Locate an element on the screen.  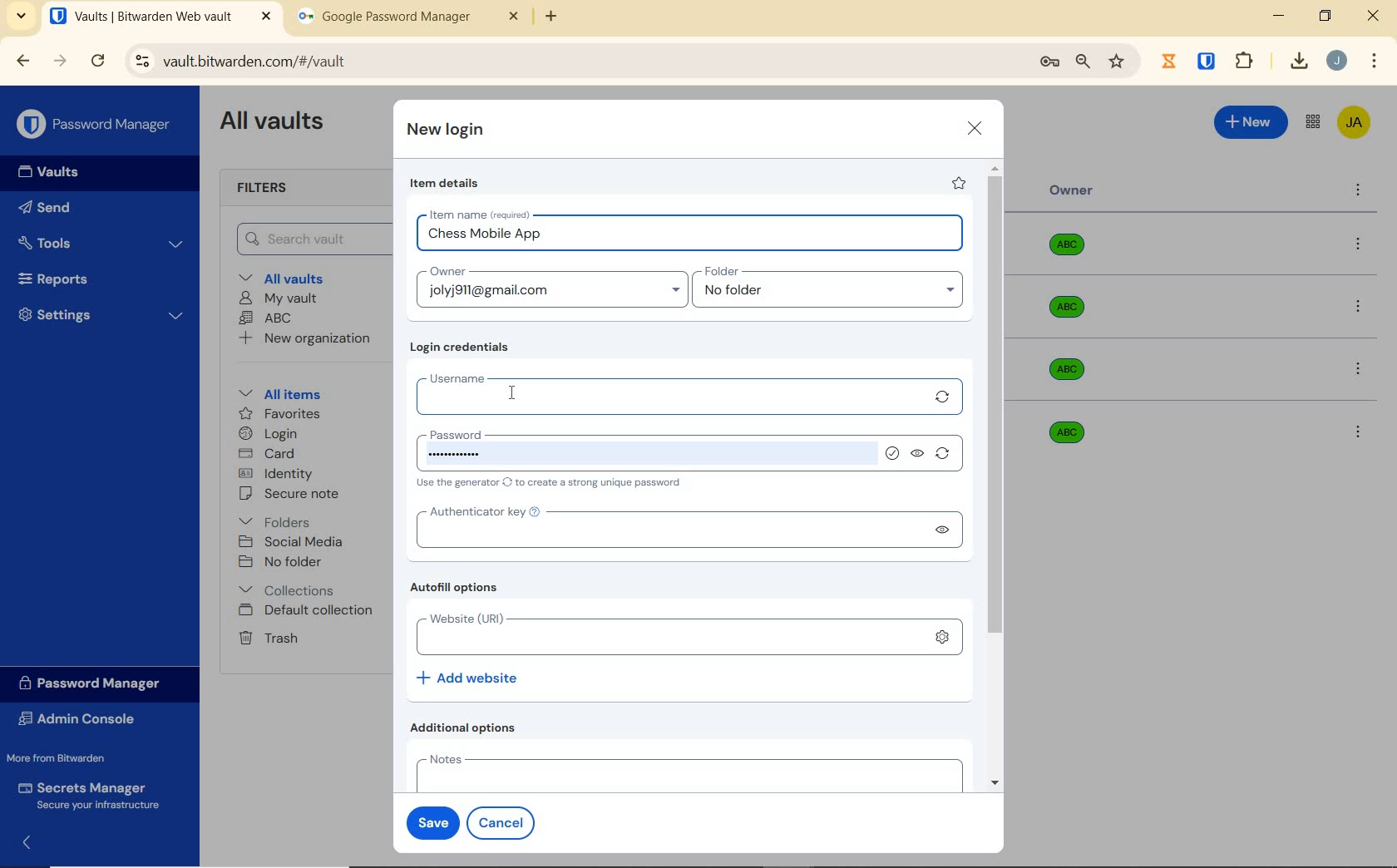
Settings is located at coordinates (101, 313).